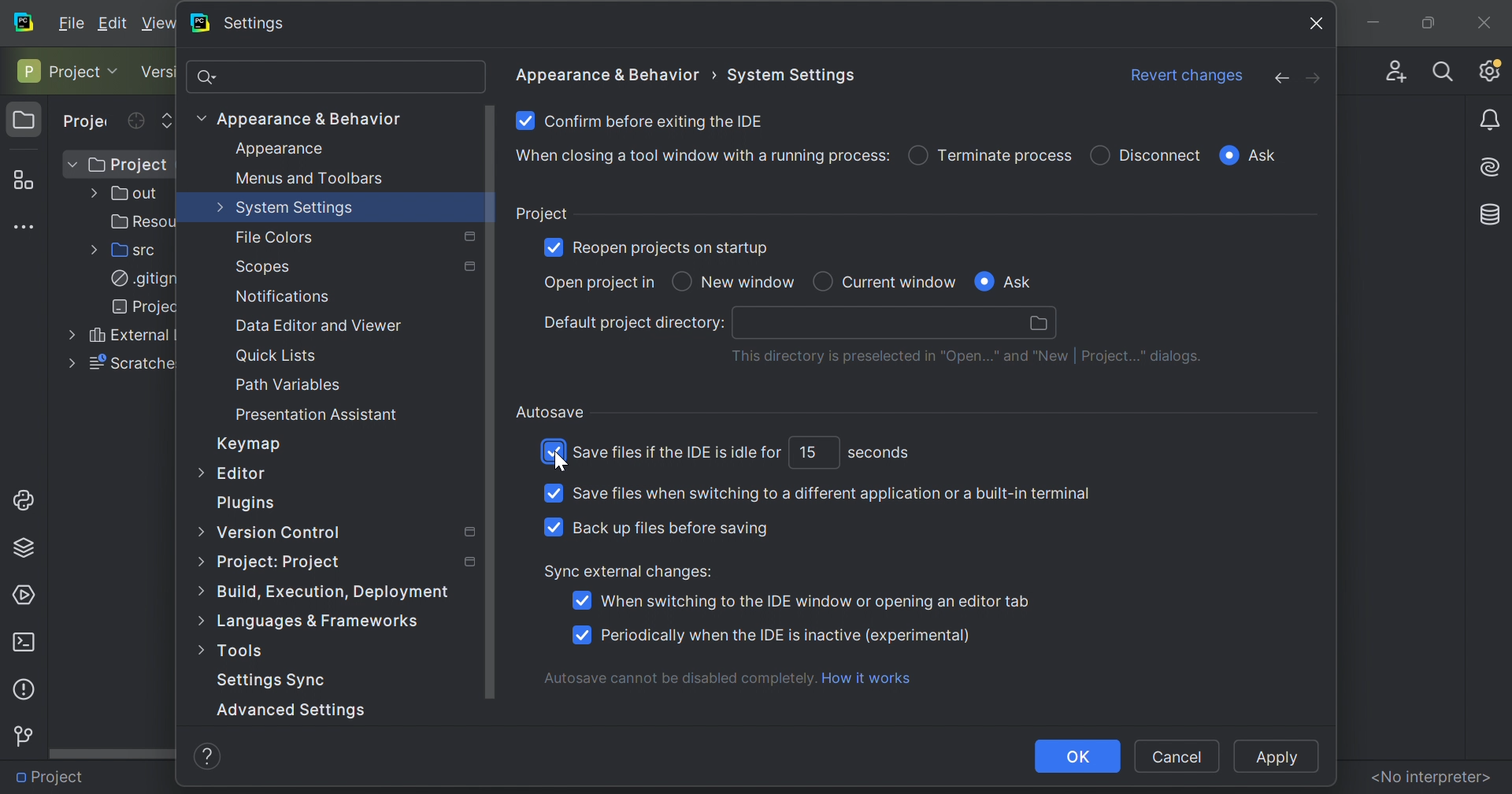  I want to click on Menus and Toolbars, so click(309, 180).